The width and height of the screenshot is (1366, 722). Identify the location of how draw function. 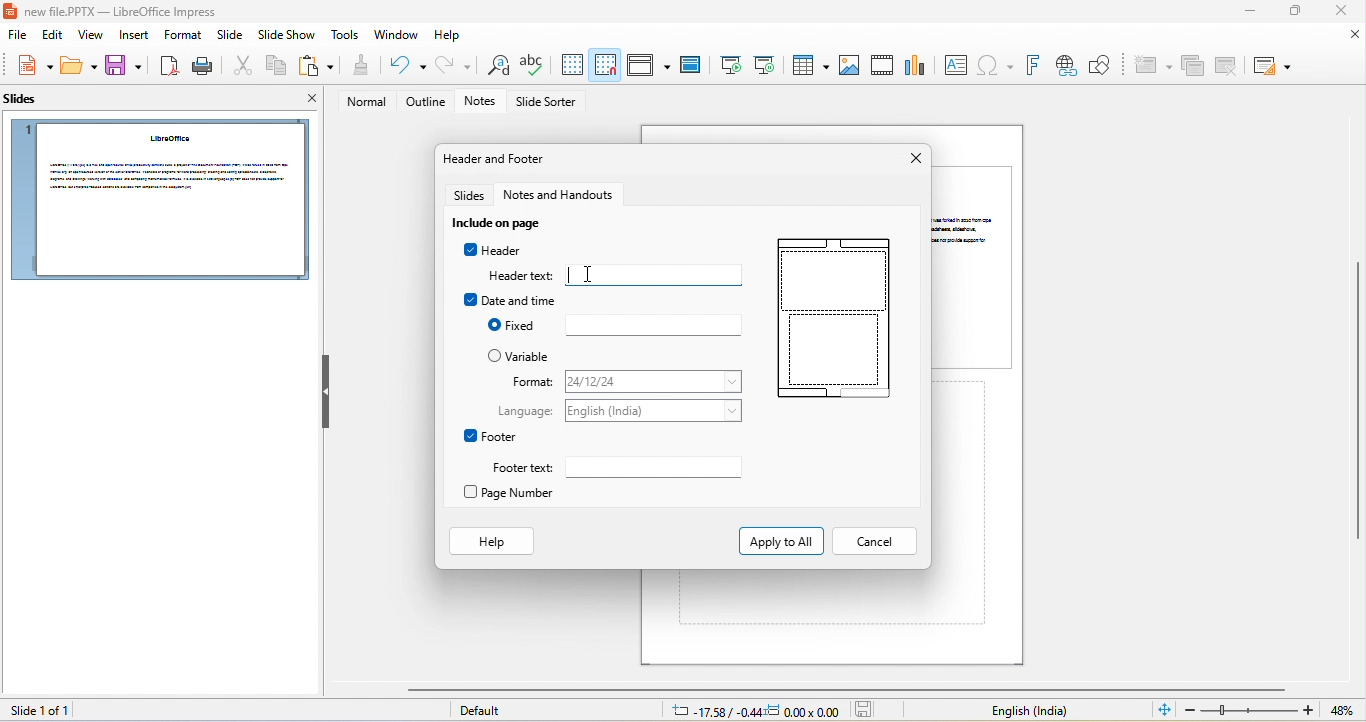
(1101, 66).